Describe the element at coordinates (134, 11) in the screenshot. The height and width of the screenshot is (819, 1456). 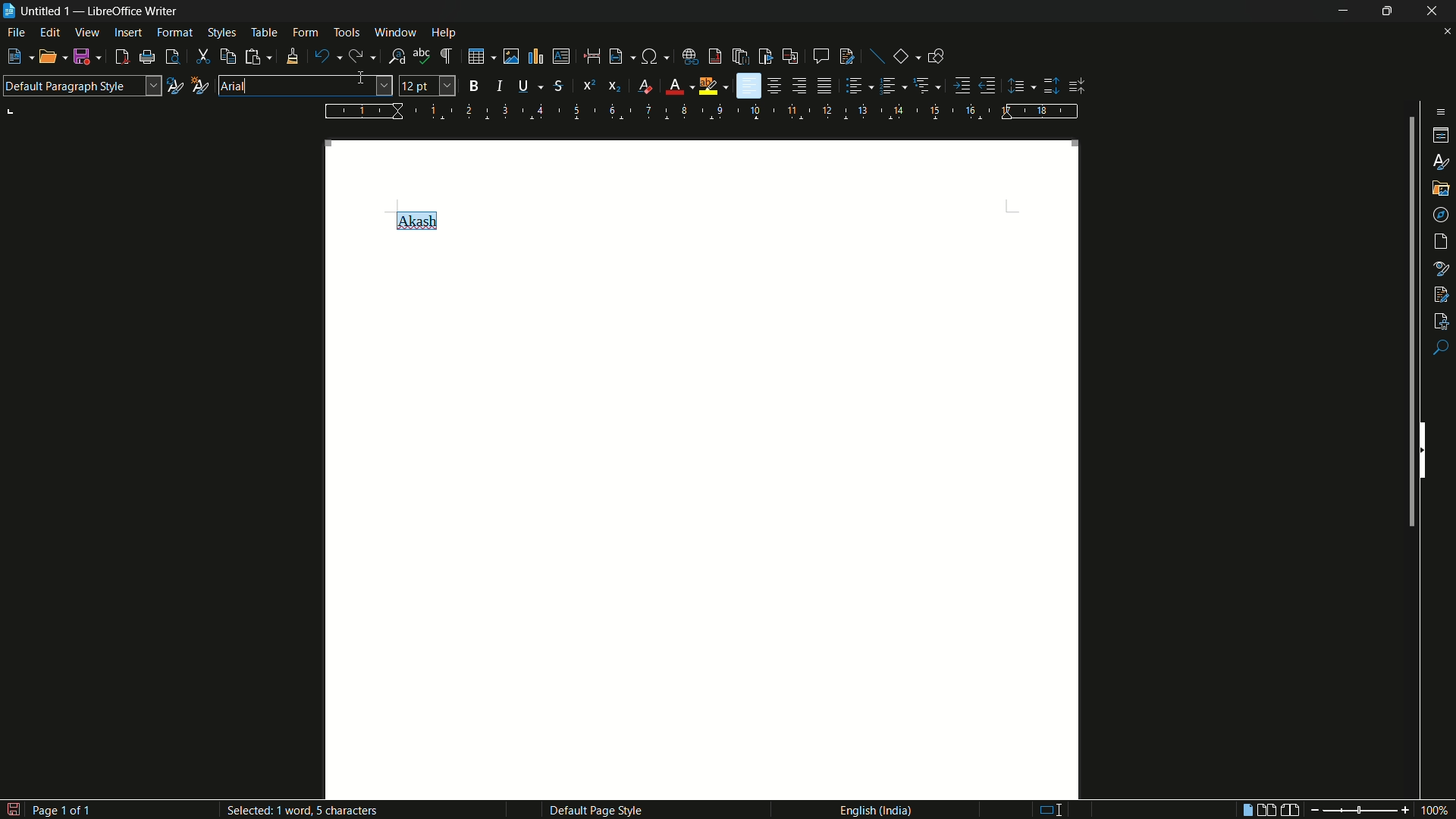
I see `app name` at that location.